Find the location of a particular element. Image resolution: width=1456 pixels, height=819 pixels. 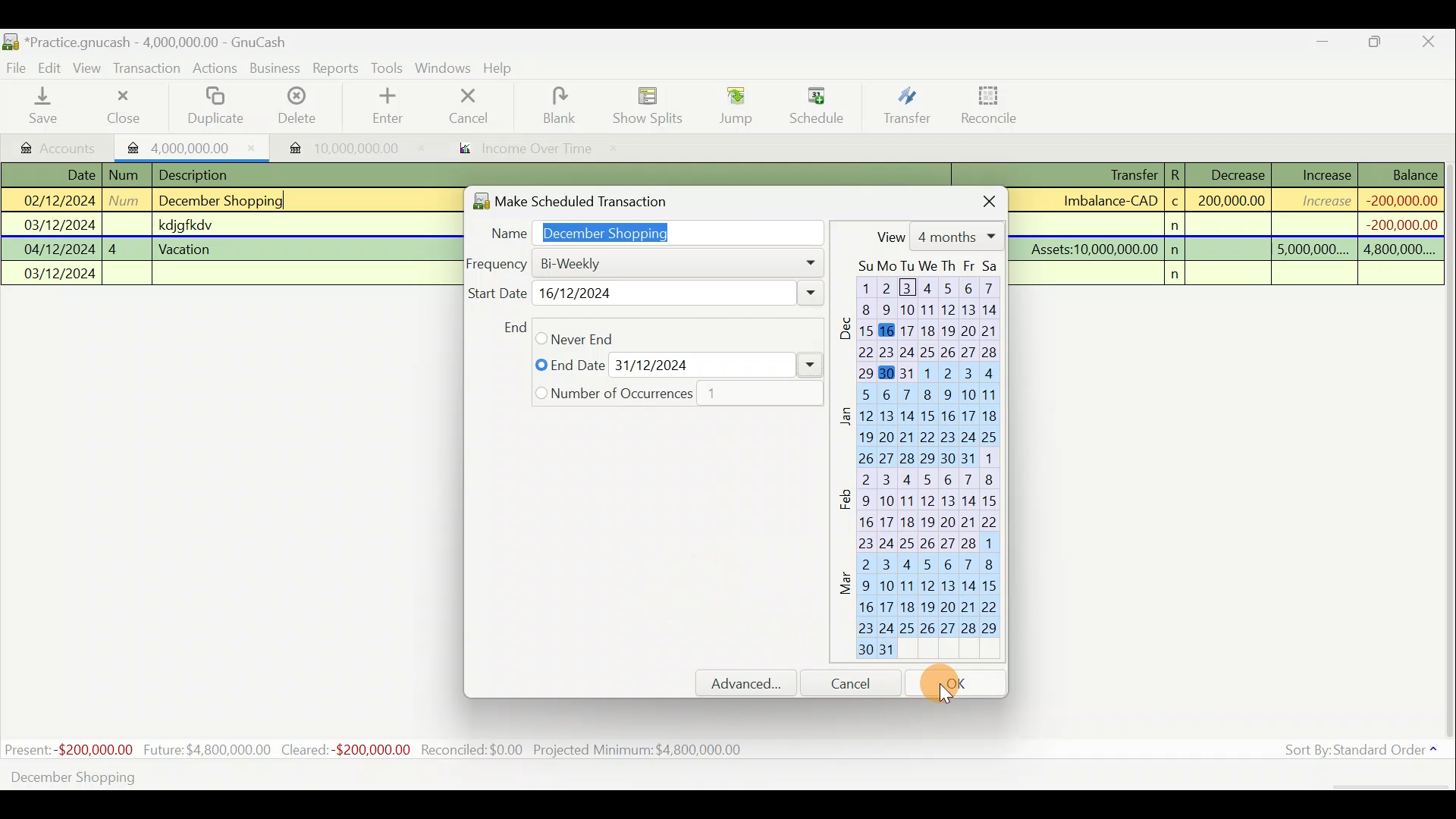

Reconcile is located at coordinates (995, 104).